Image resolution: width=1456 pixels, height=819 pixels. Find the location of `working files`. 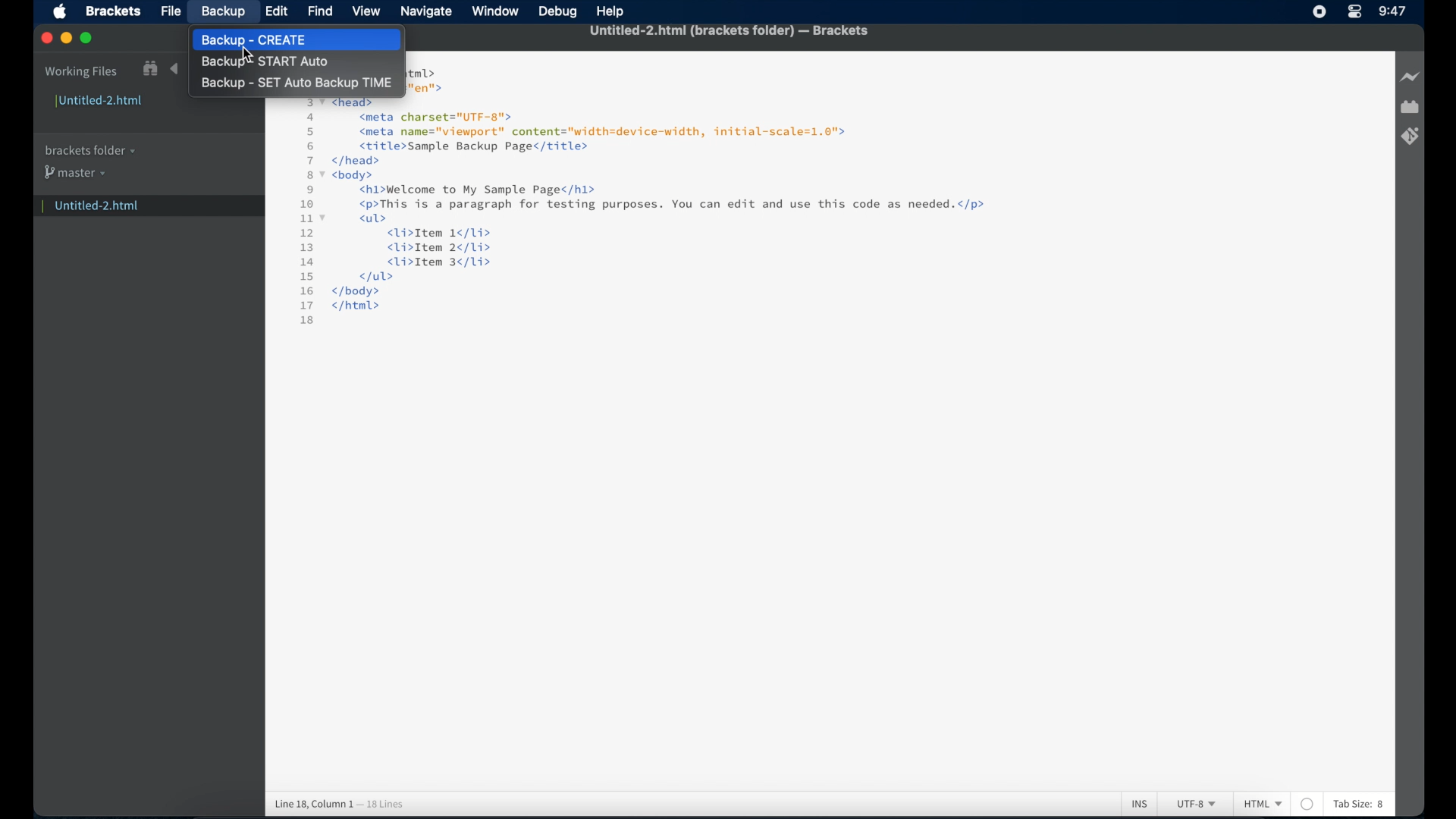

working files is located at coordinates (81, 73).